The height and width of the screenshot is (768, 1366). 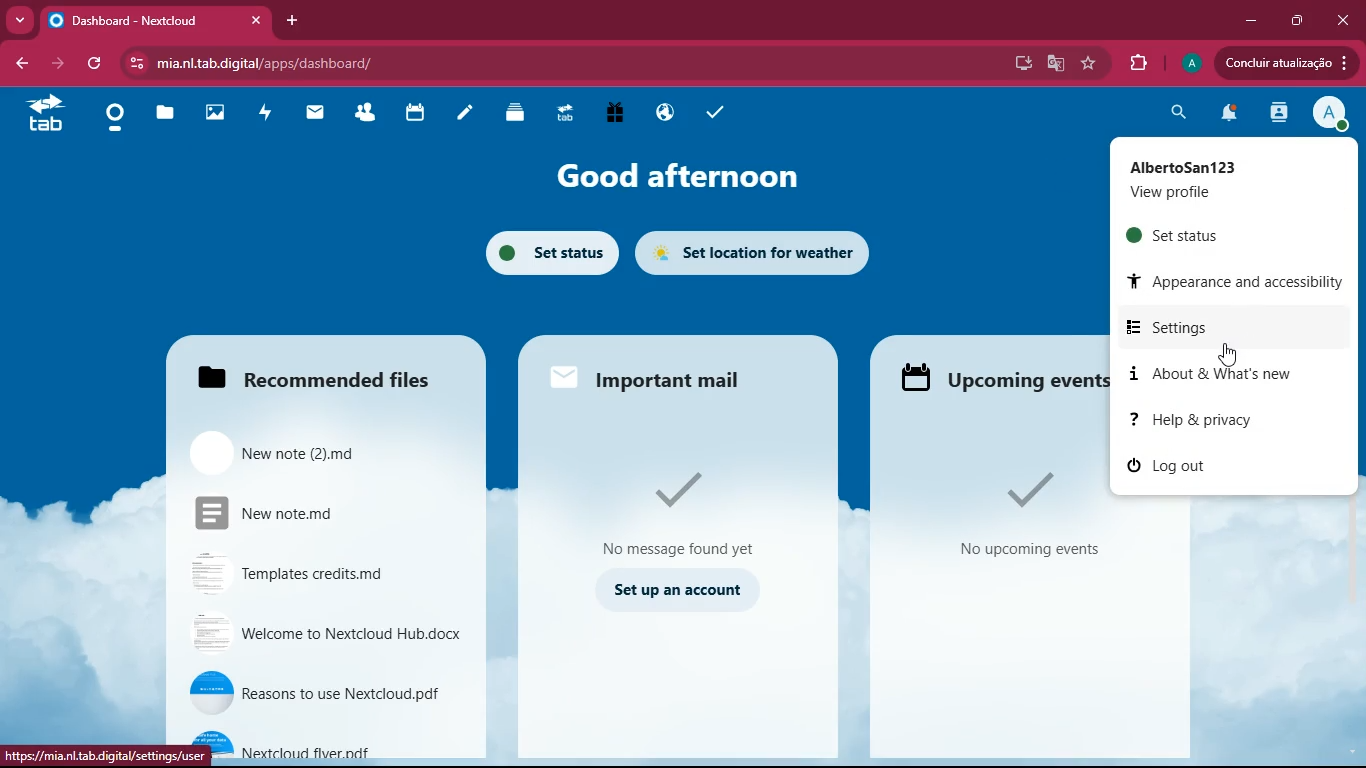 What do you see at coordinates (38, 116) in the screenshot?
I see `tab` at bounding box center [38, 116].